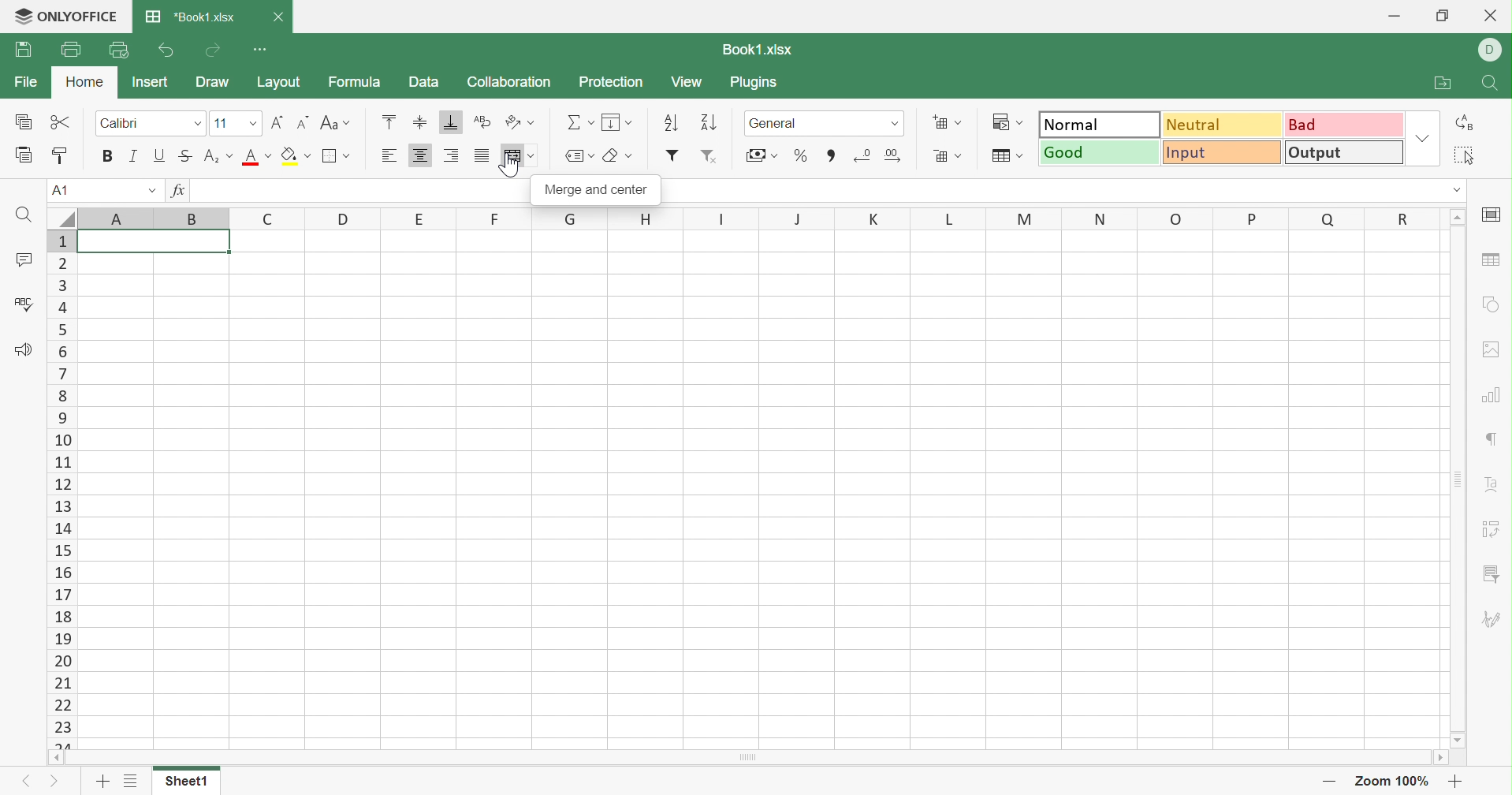 Image resolution: width=1512 pixels, height=795 pixels. What do you see at coordinates (617, 123) in the screenshot?
I see `Fill` at bounding box center [617, 123].